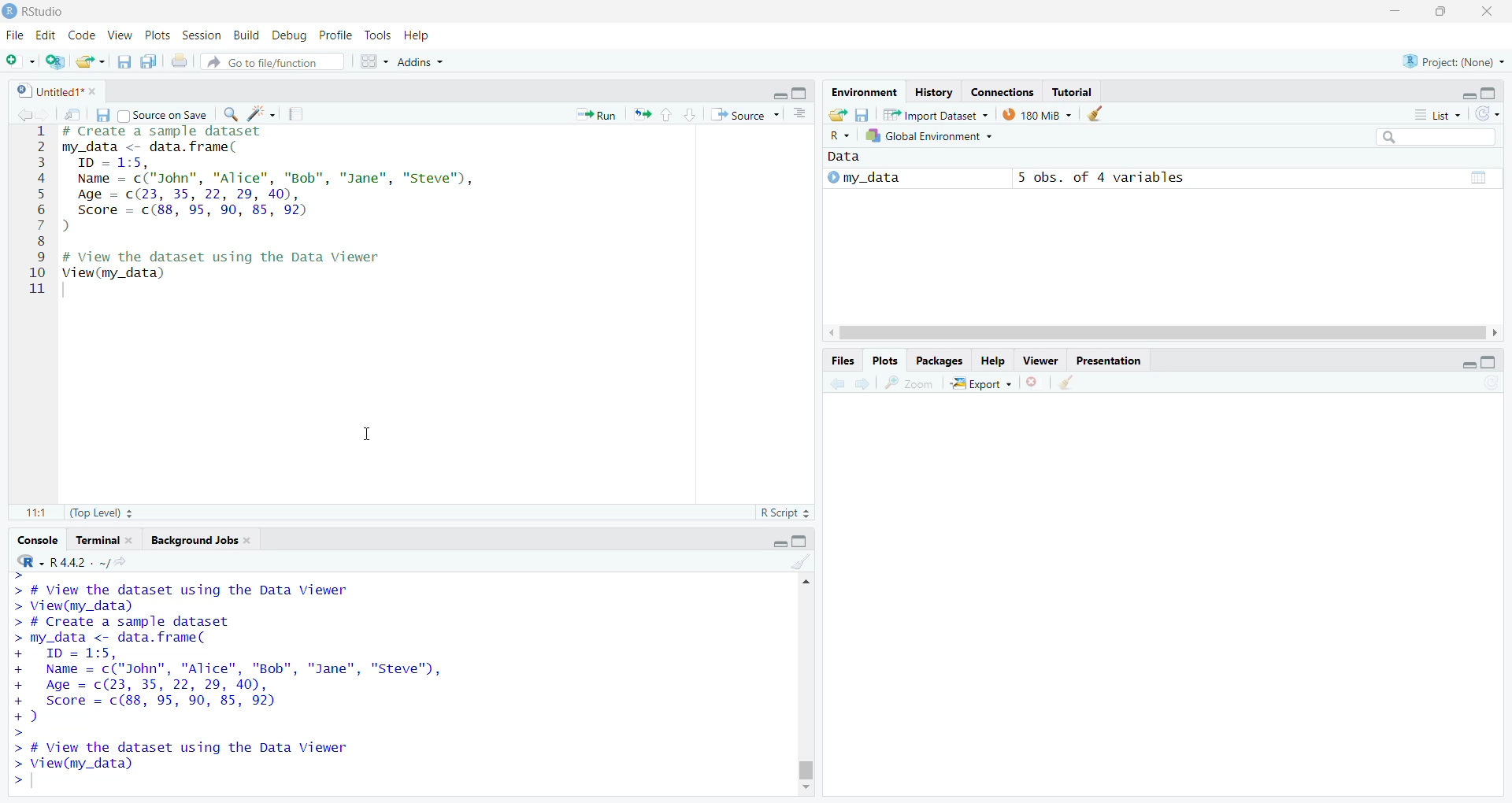 Image resolution: width=1512 pixels, height=803 pixels. What do you see at coordinates (641, 115) in the screenshot?
I see `resize` at bounding box center [641, 115].